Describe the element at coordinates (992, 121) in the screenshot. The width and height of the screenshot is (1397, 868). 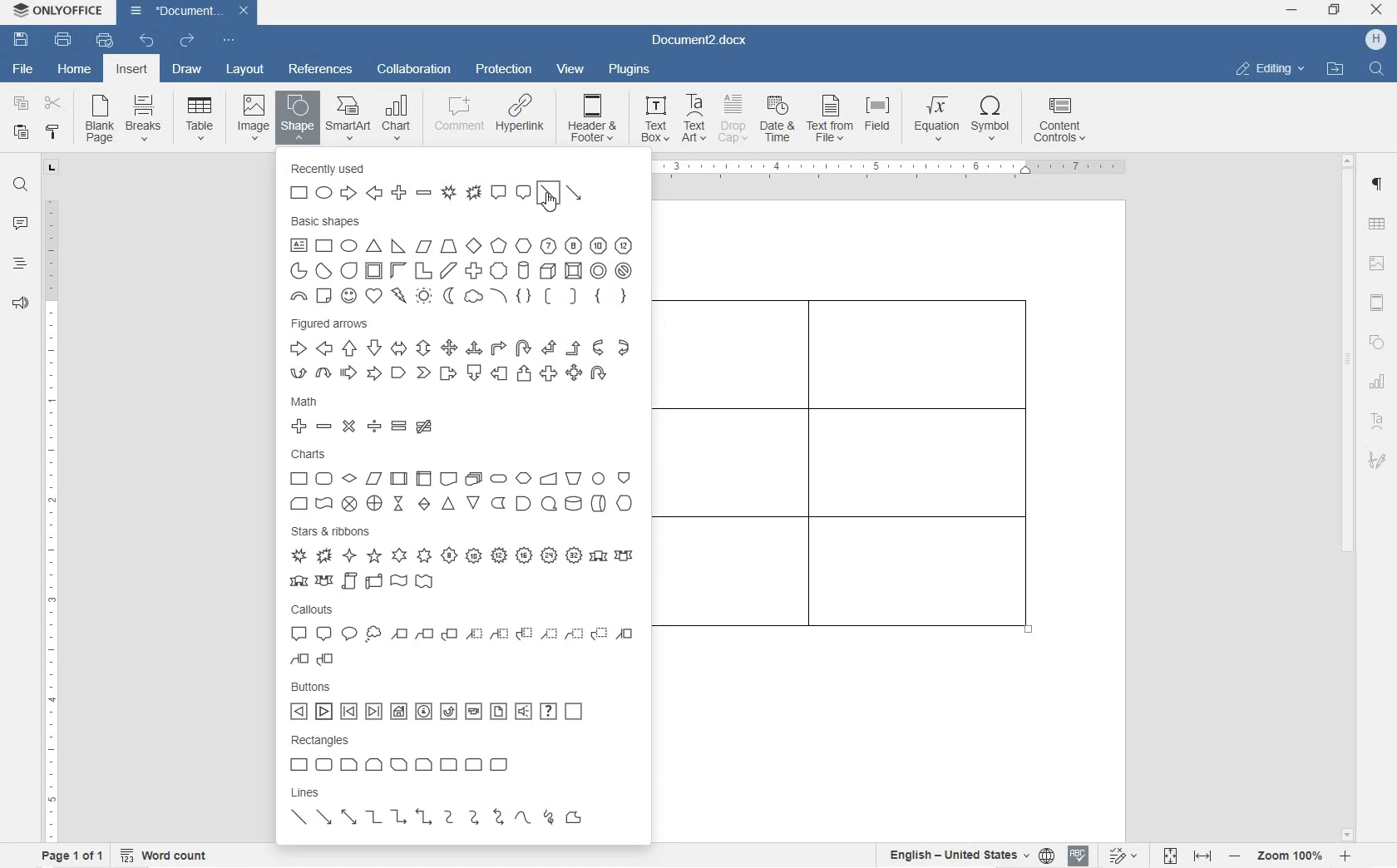
I see `SYMBOL` at that location.